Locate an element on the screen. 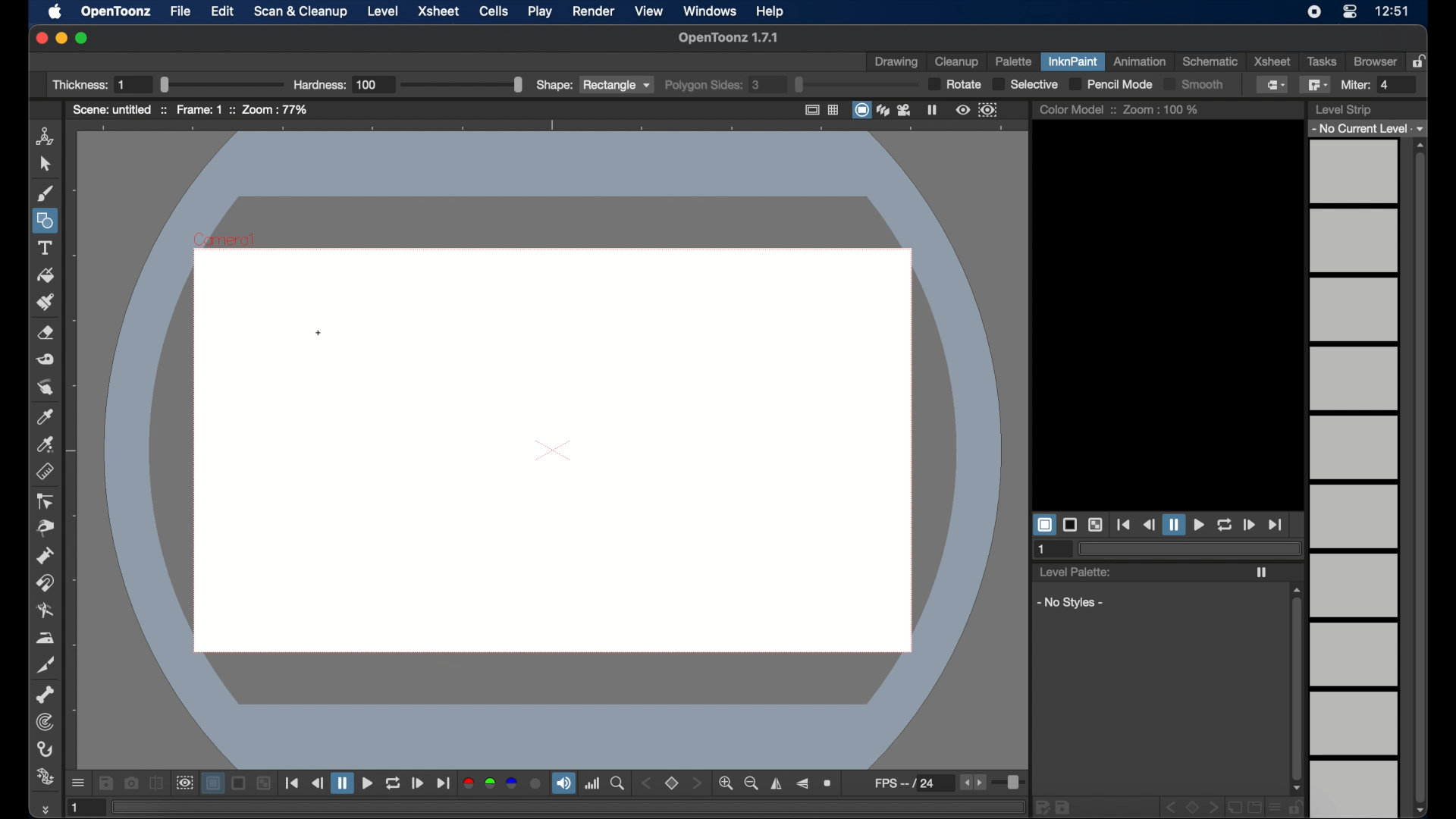 The width and height of the screenshot is (1456, 819). more options is located at coordinates (78, 784).